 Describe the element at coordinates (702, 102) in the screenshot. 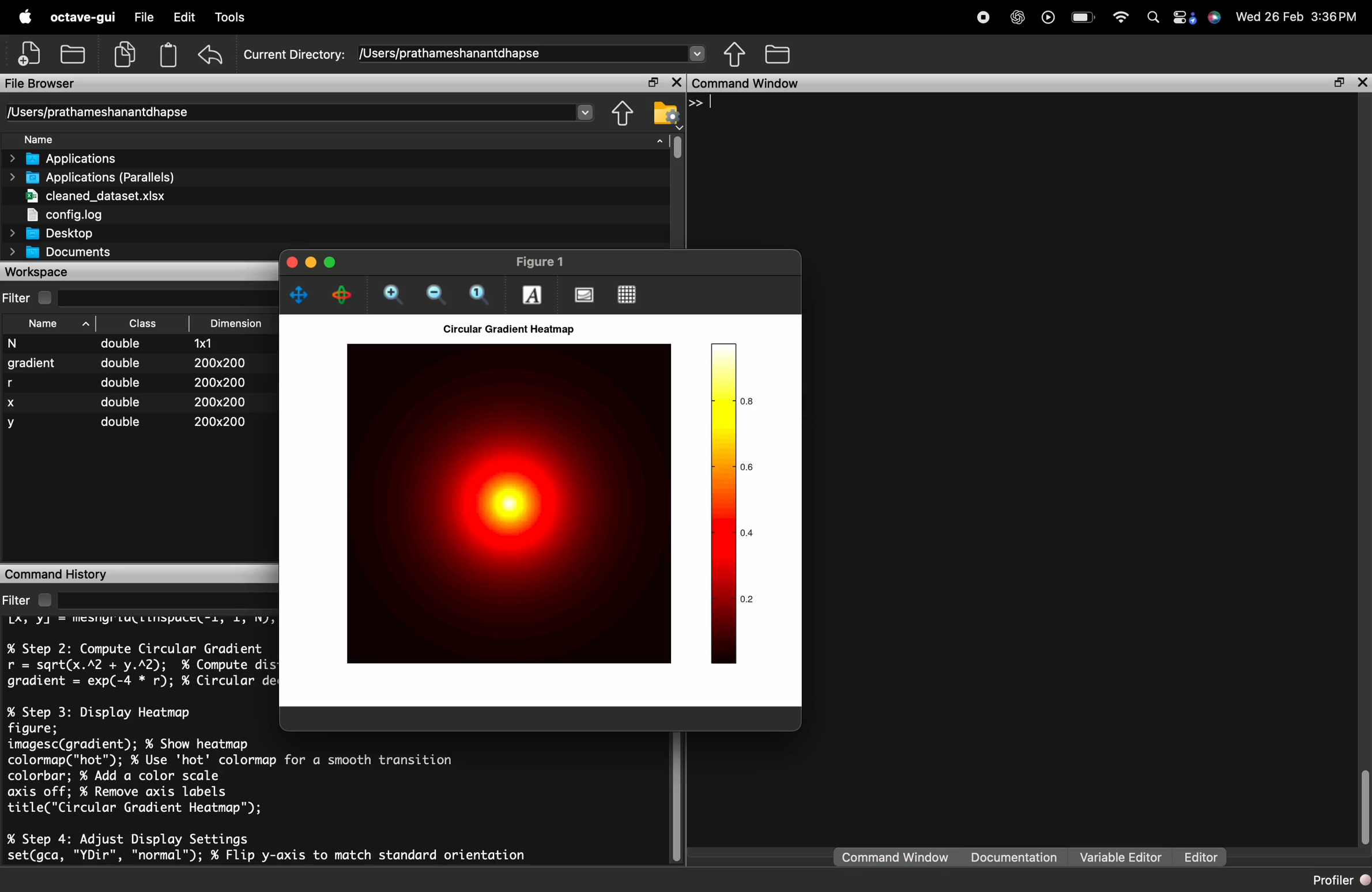

I see `>>` at that location.